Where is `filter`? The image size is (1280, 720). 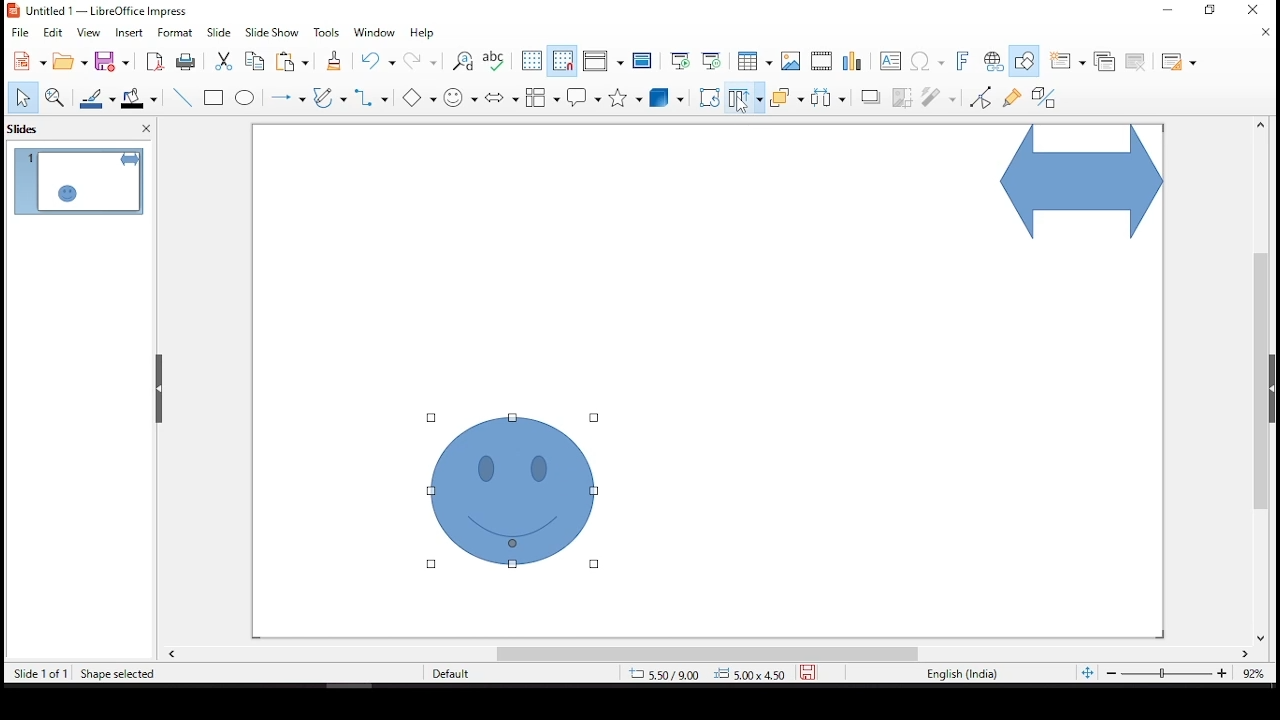
filter is located at coordinates (940, 94).